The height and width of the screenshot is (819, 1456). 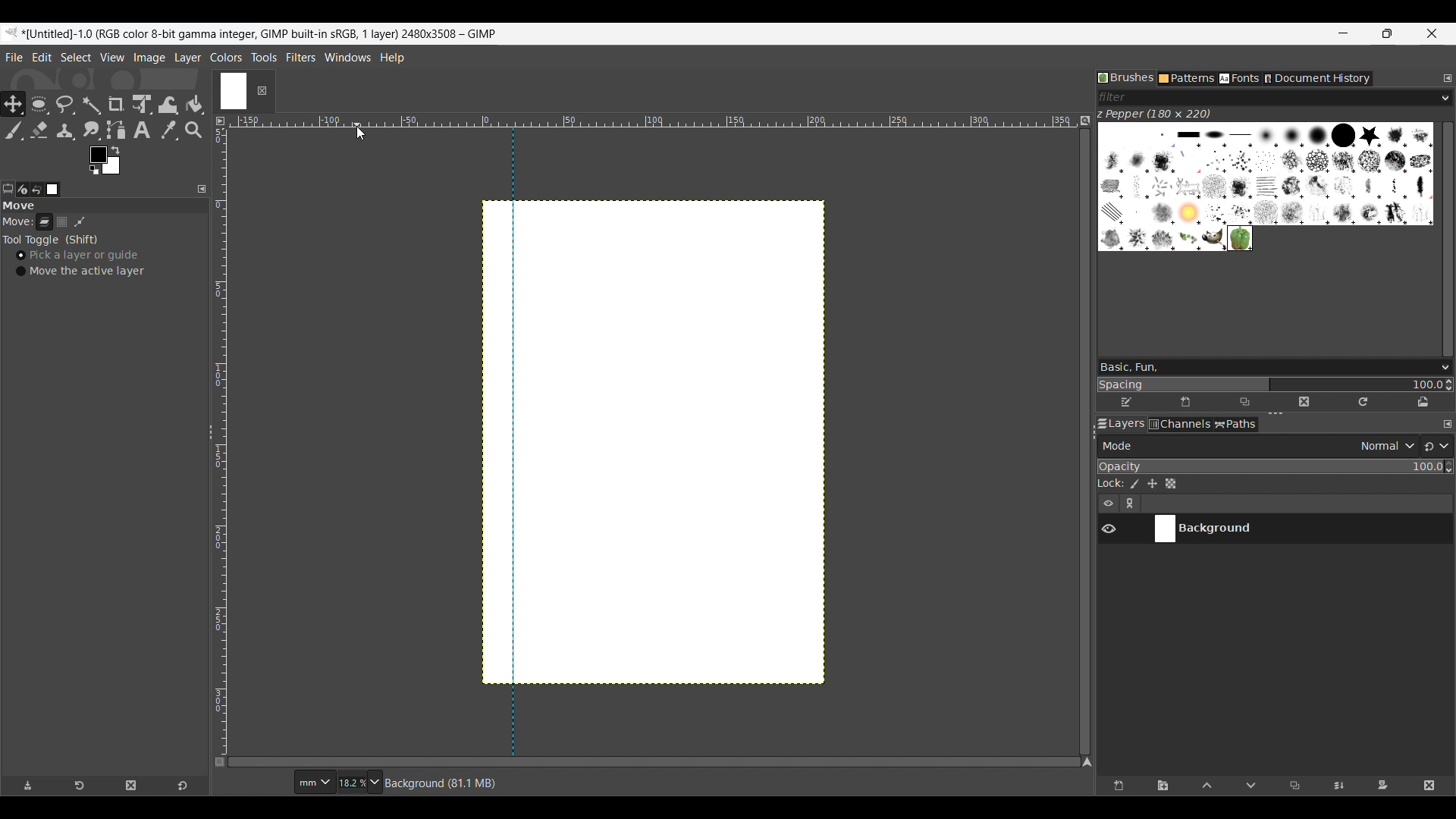 What do you see at coordinates (11, 102) in the screenshot?
I see `Move tool, current selection highlighted` at bounding box center [11, 102].